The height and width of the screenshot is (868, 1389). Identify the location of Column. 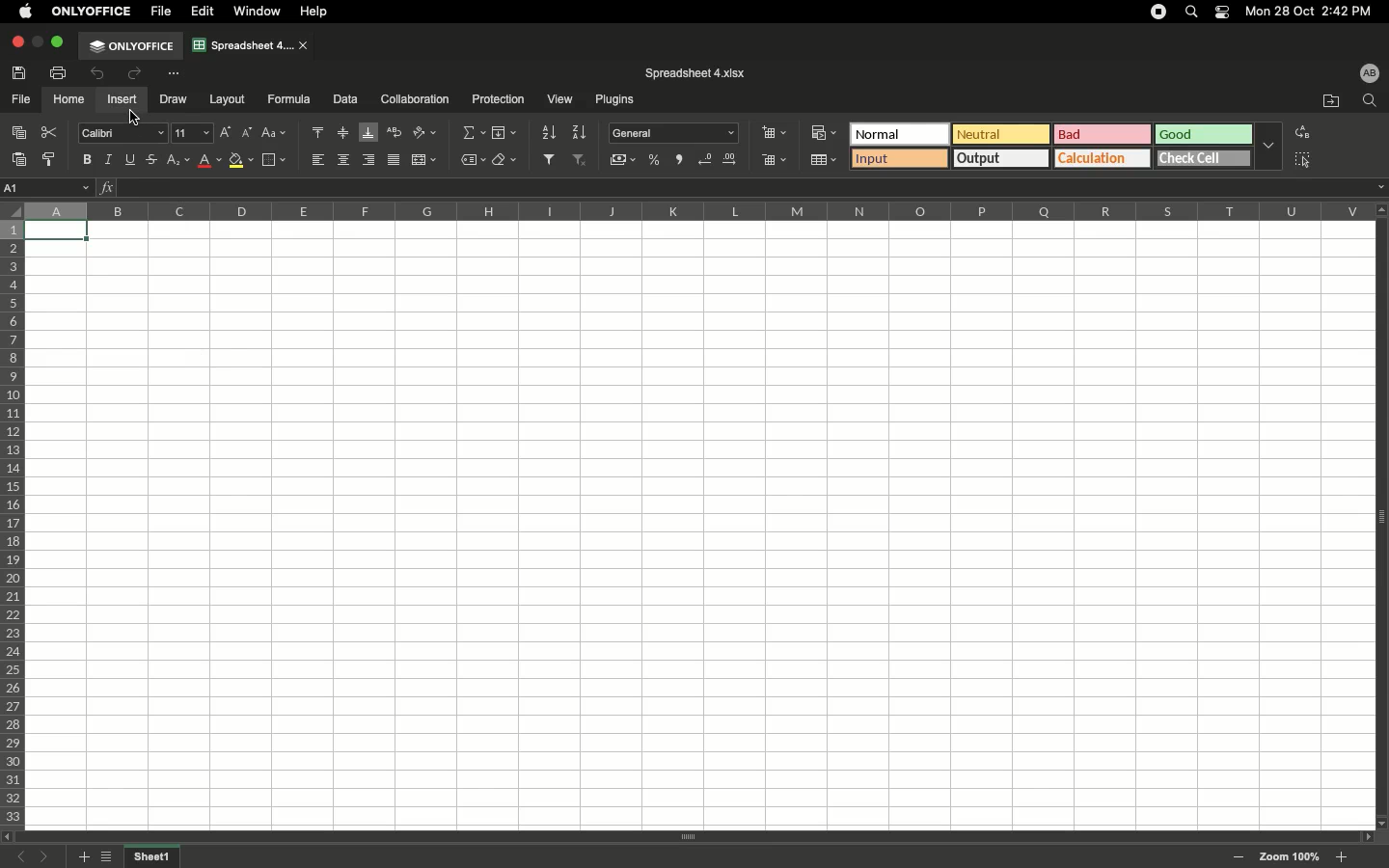
(694, 210).